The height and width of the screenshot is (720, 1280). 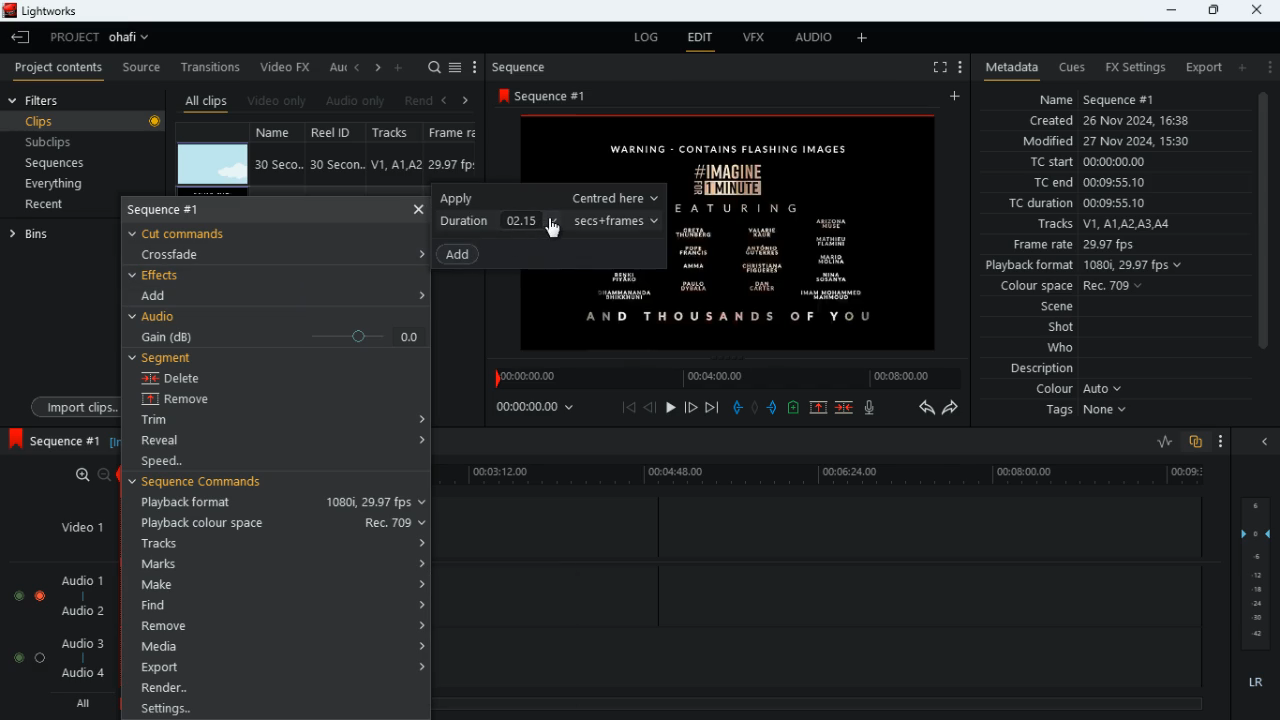 What do you see at coordinates (1080, 390) in the screenshot?
I see `colour` at bounding box center [1080, 390].